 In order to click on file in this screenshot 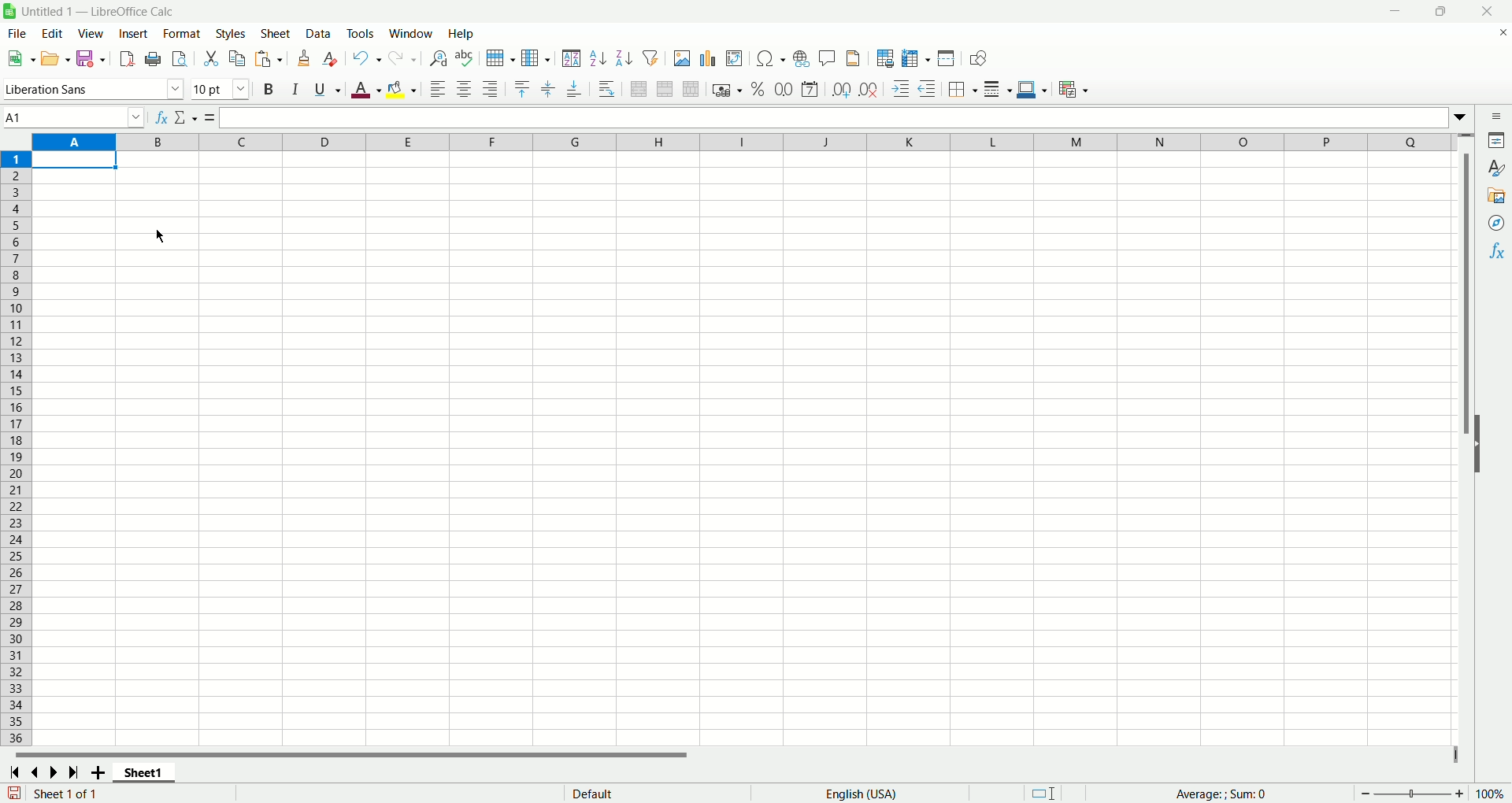, I will do `click(18, 33)`.